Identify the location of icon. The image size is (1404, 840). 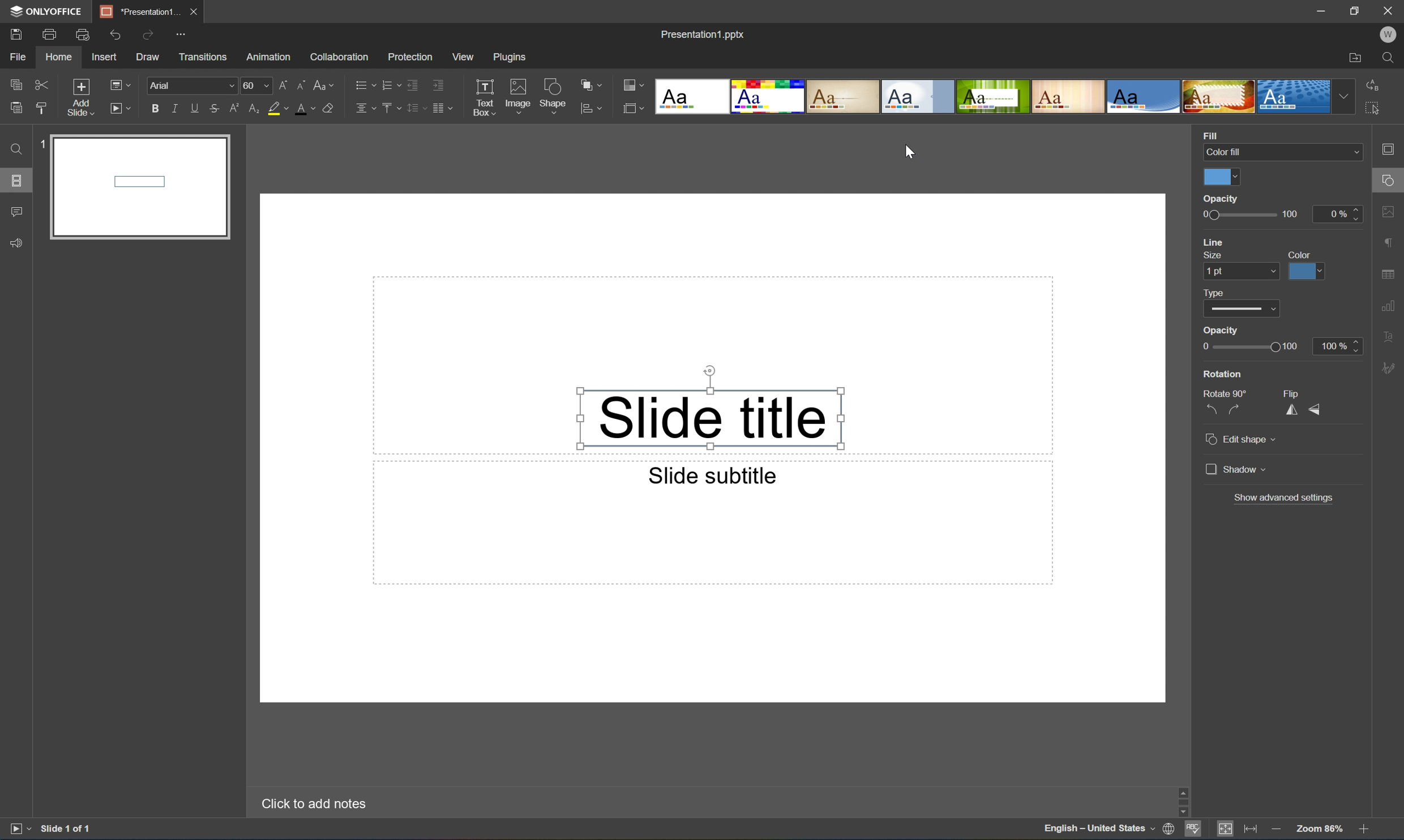
(585, 107).